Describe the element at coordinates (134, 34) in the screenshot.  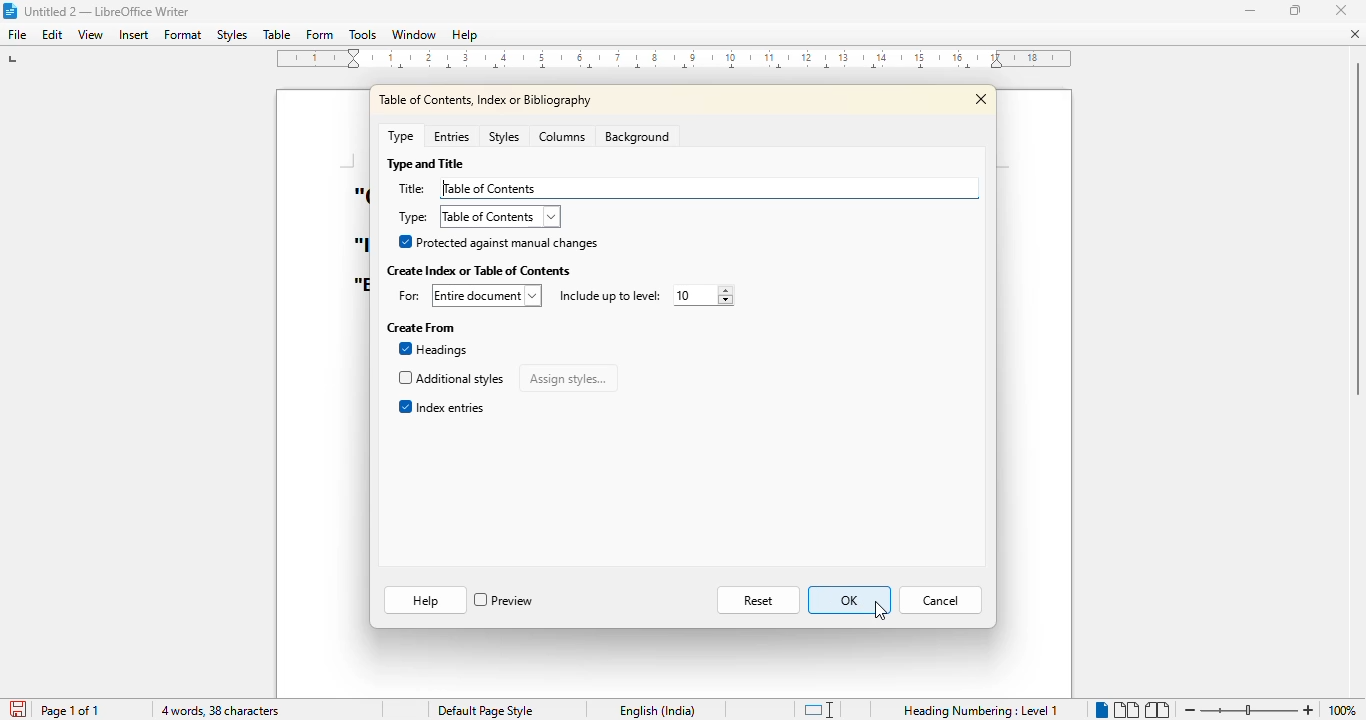
I see `insert` at that location.